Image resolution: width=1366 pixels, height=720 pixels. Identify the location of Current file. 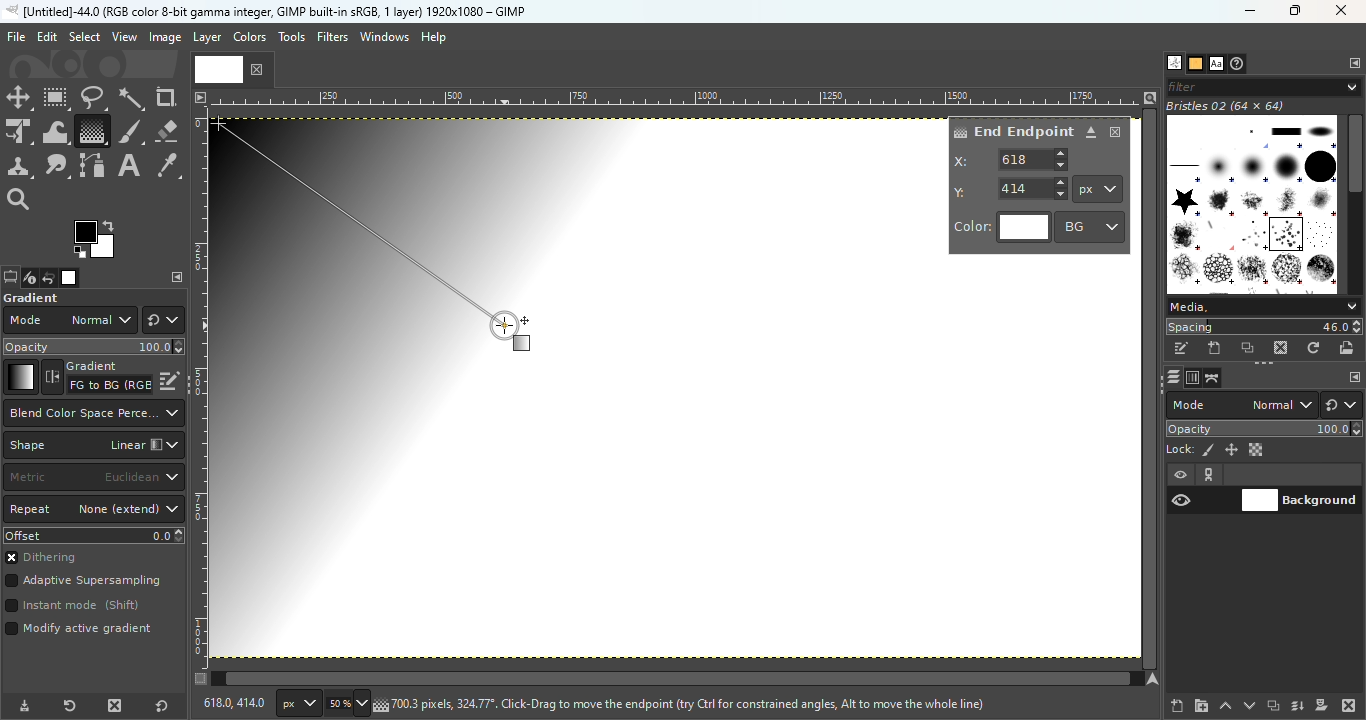
(233, 68).